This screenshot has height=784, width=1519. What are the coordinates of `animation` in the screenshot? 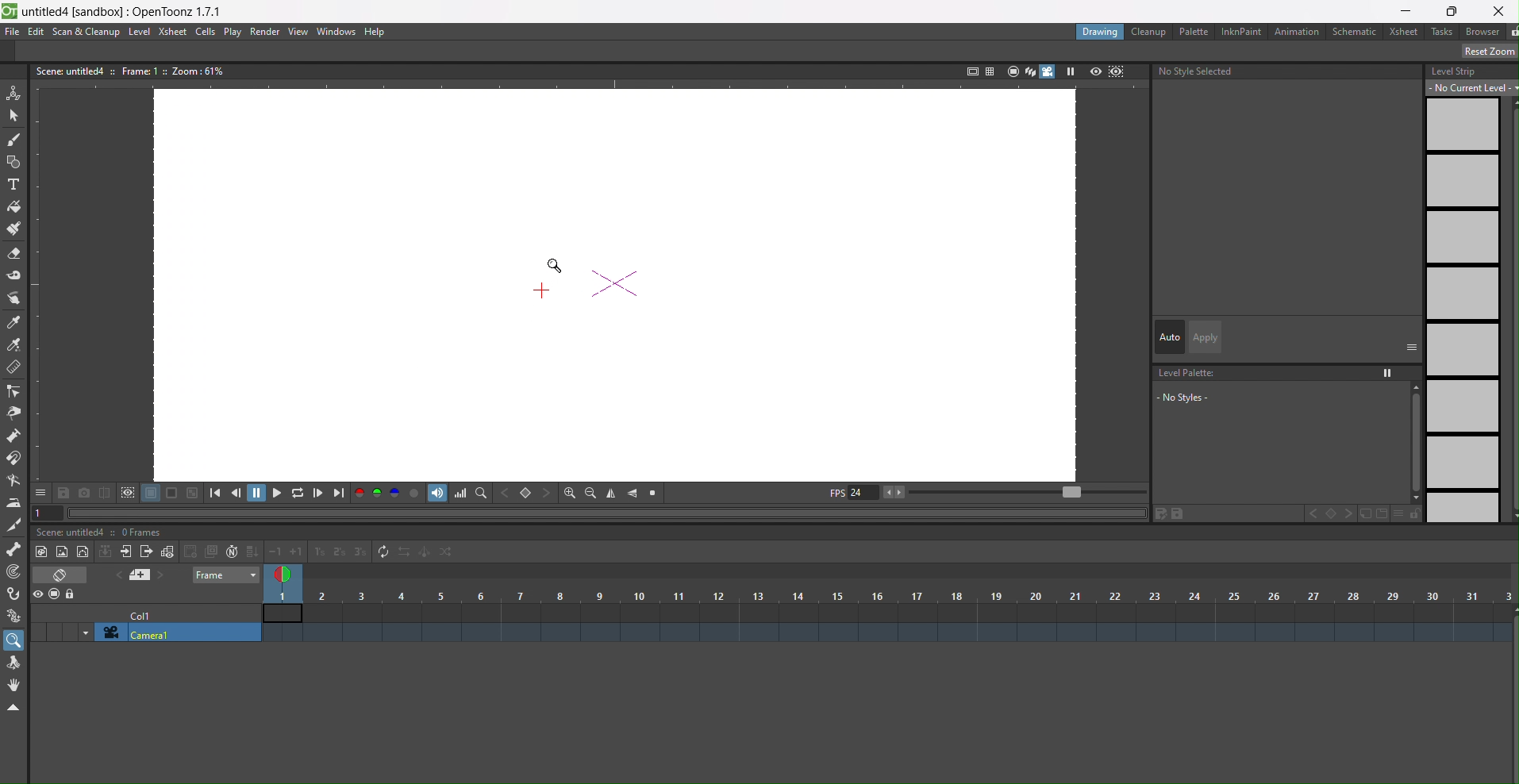 It's located at (1298, 31).